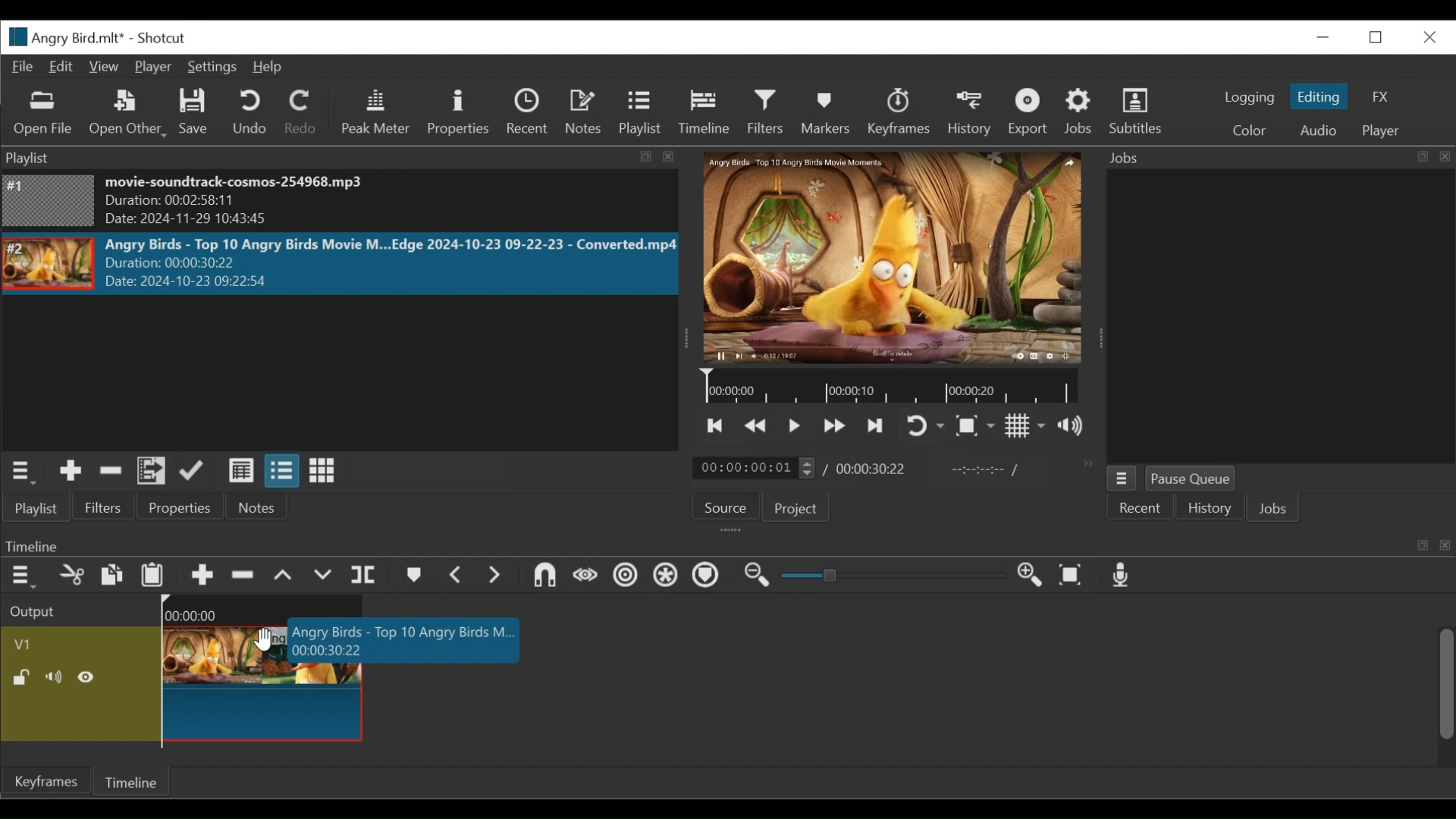 Image resolution: width=1456 pixels, height=819 pixels. I want to click on Jobs Menu, so click(1122, 478).